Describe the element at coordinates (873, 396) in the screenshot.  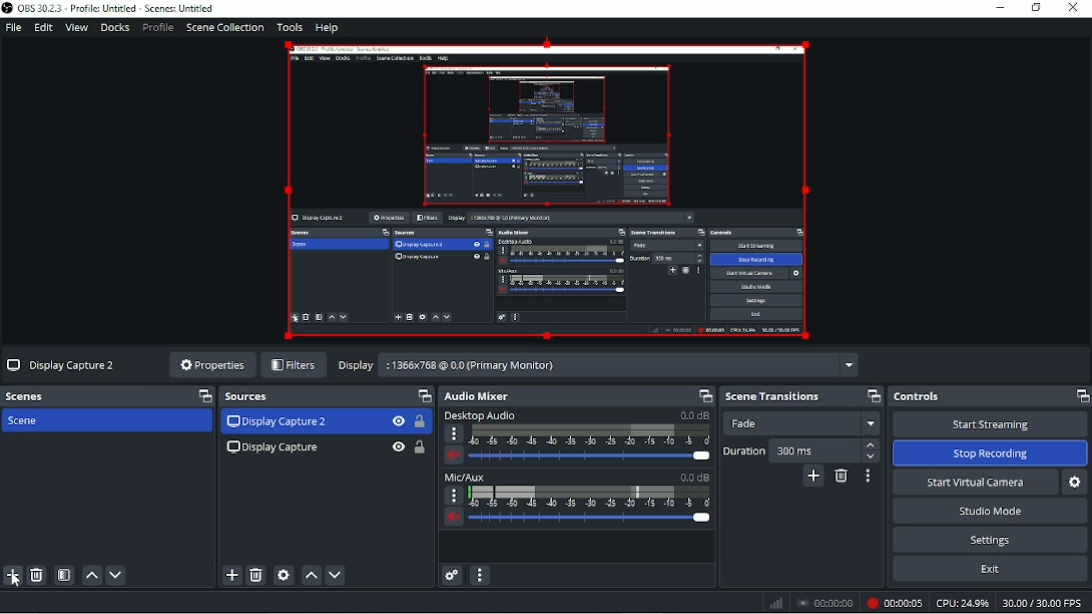
I see `Maximize` at that location.